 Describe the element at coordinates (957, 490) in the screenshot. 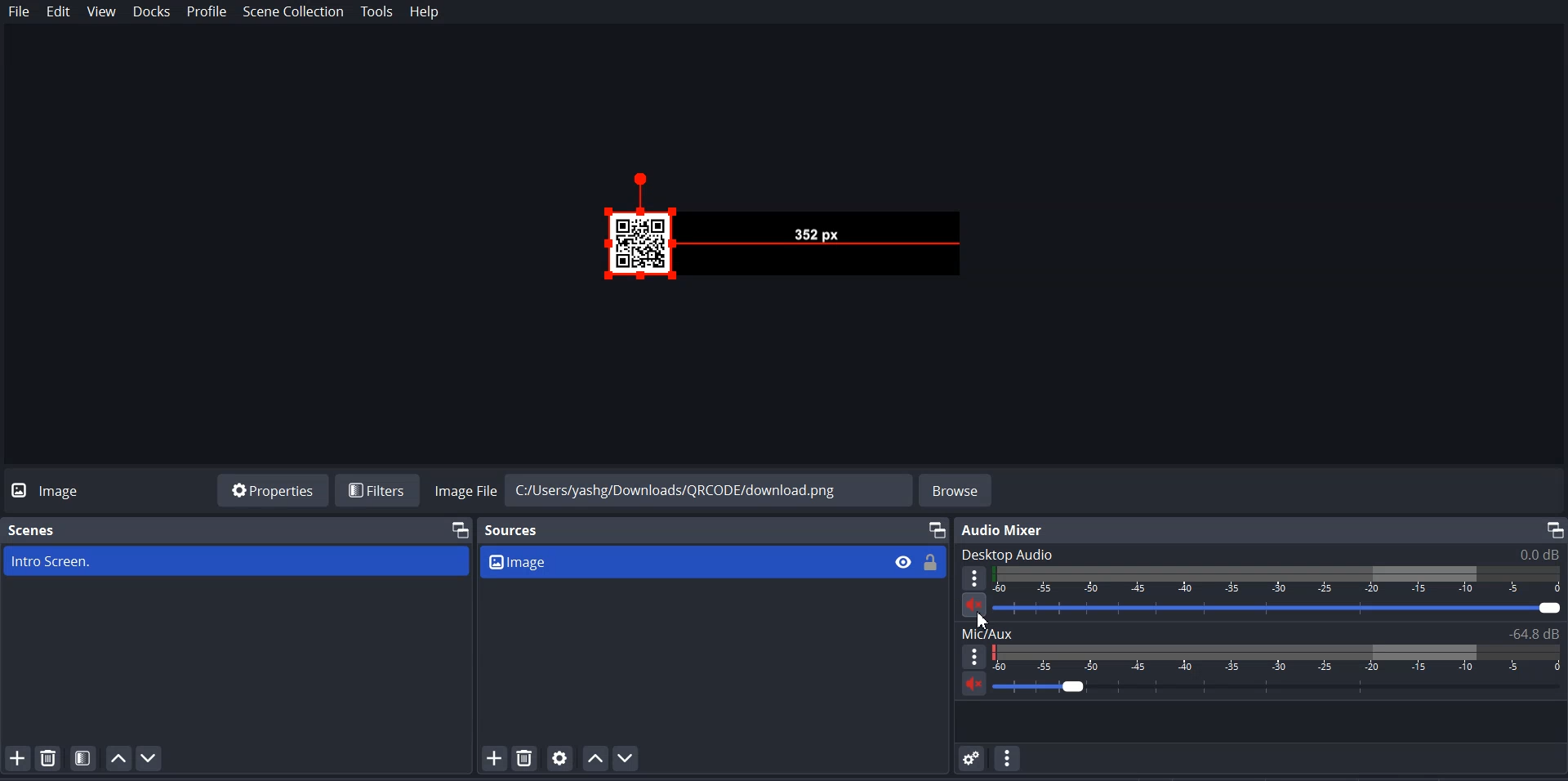

I see `Browse` at that location.